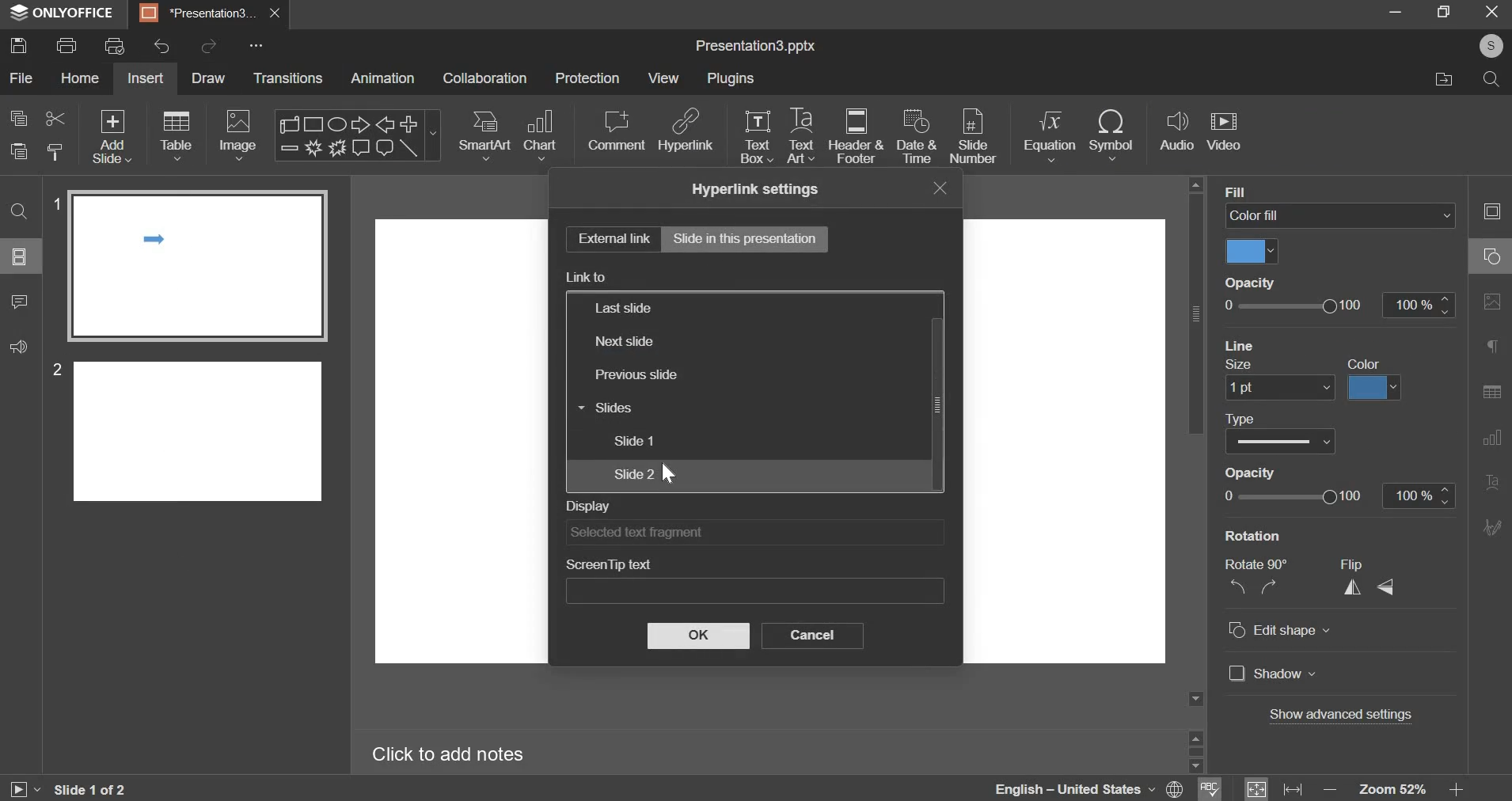 The width and height of the screenshot is (1512, 801). Describe the element at coordinates (311, 148) in the screenshot. I see `explosion` at that location.